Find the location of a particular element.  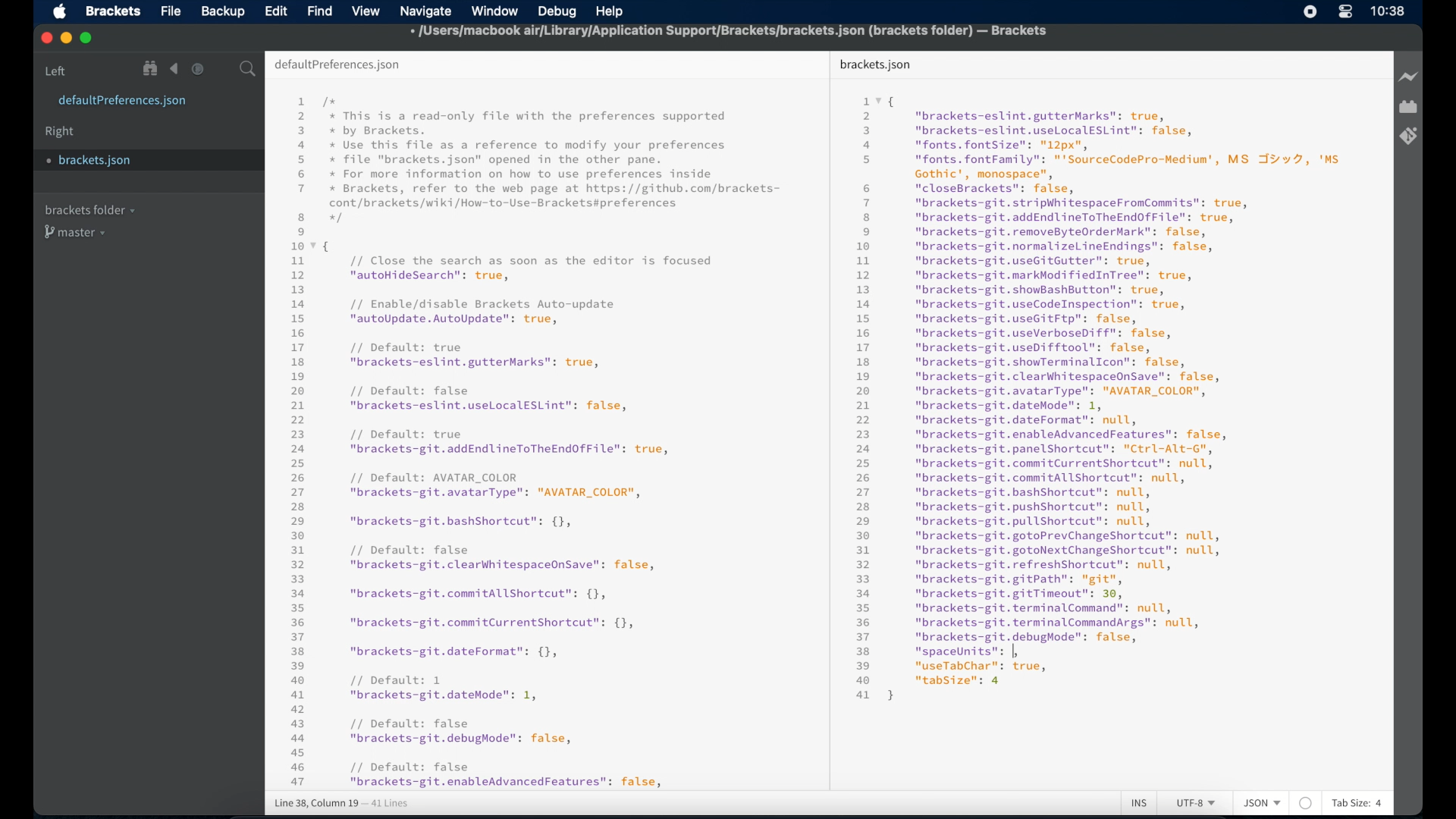

ins is located at coordinates (1139, 804).